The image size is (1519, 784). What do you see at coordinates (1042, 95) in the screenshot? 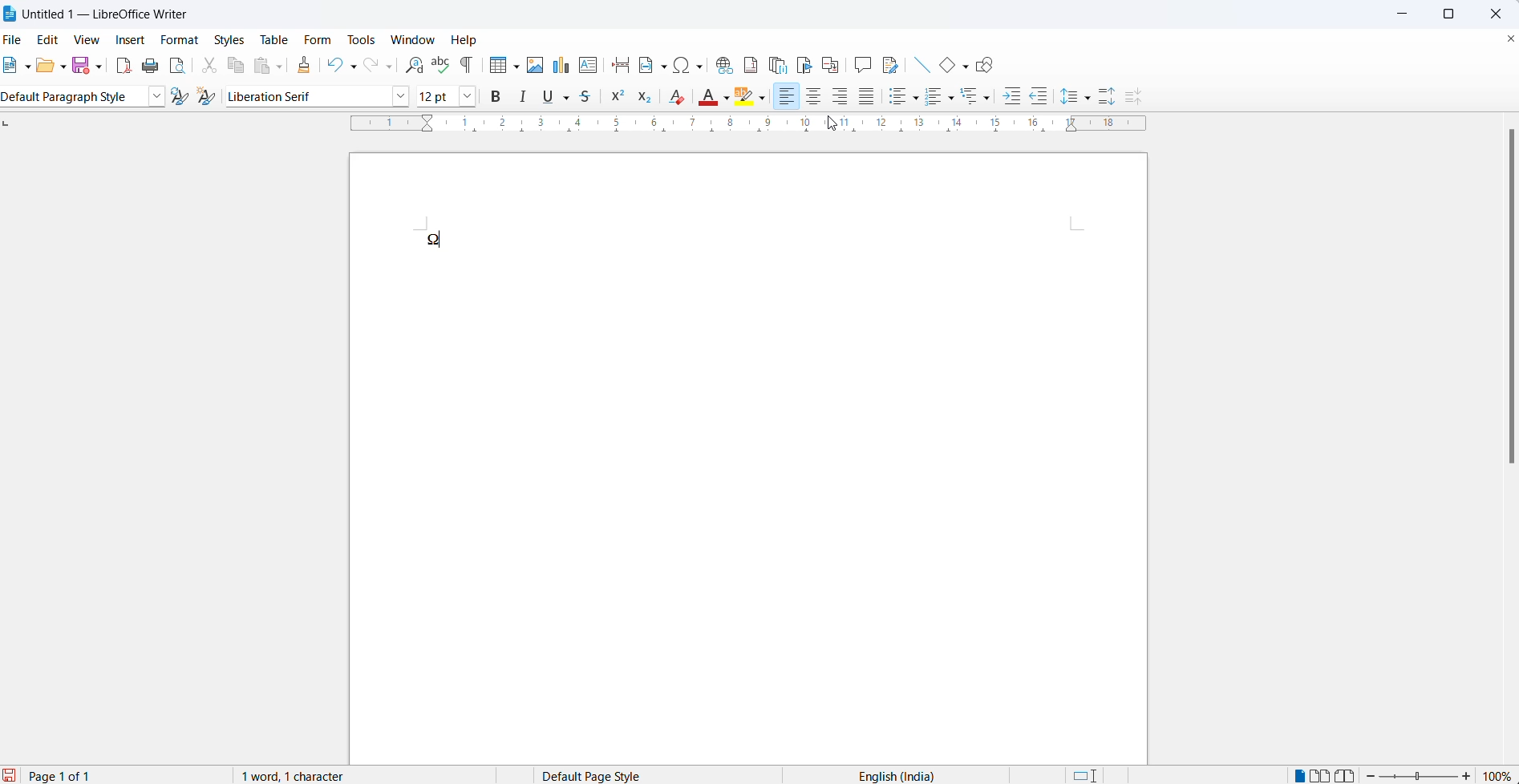
I see `decrease indent` at bounding box center [1042, 95].